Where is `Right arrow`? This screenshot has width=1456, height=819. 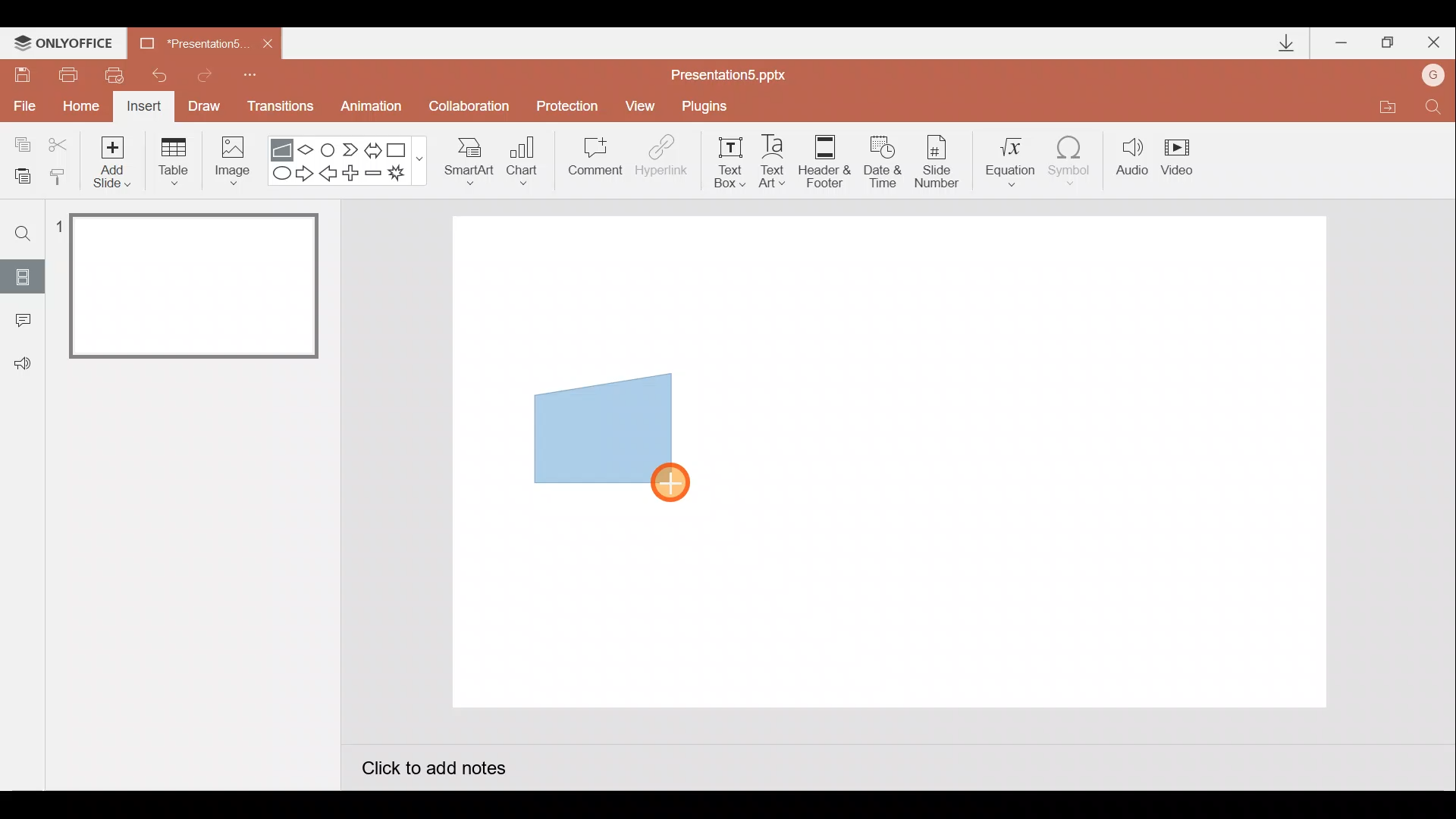
Right arrow is located at coordinates (306, 172).